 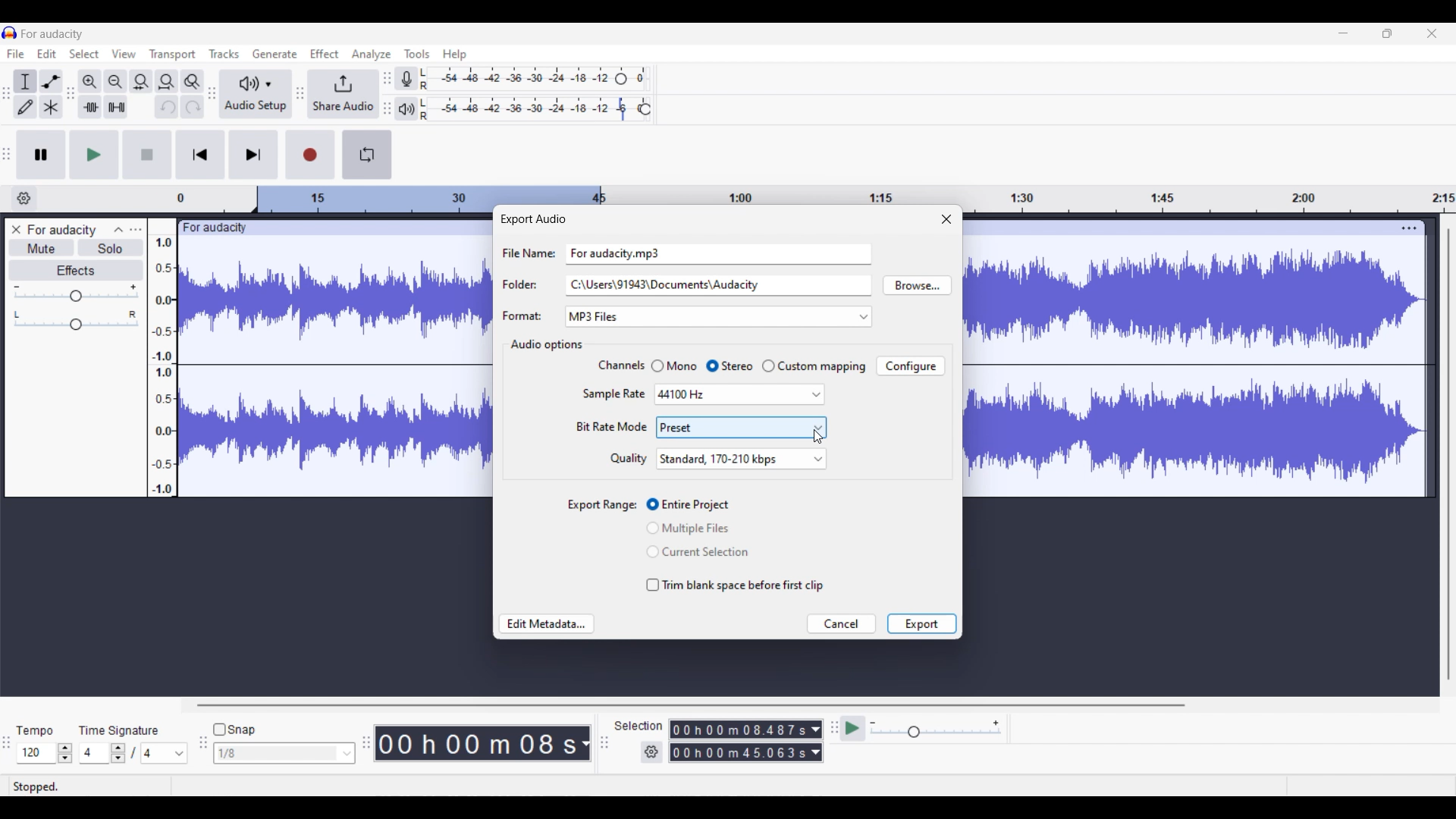 What do you see at coordinates (1432, 33) in the screenshot?
I see `Close interface` at bounding box center [1432, 33].